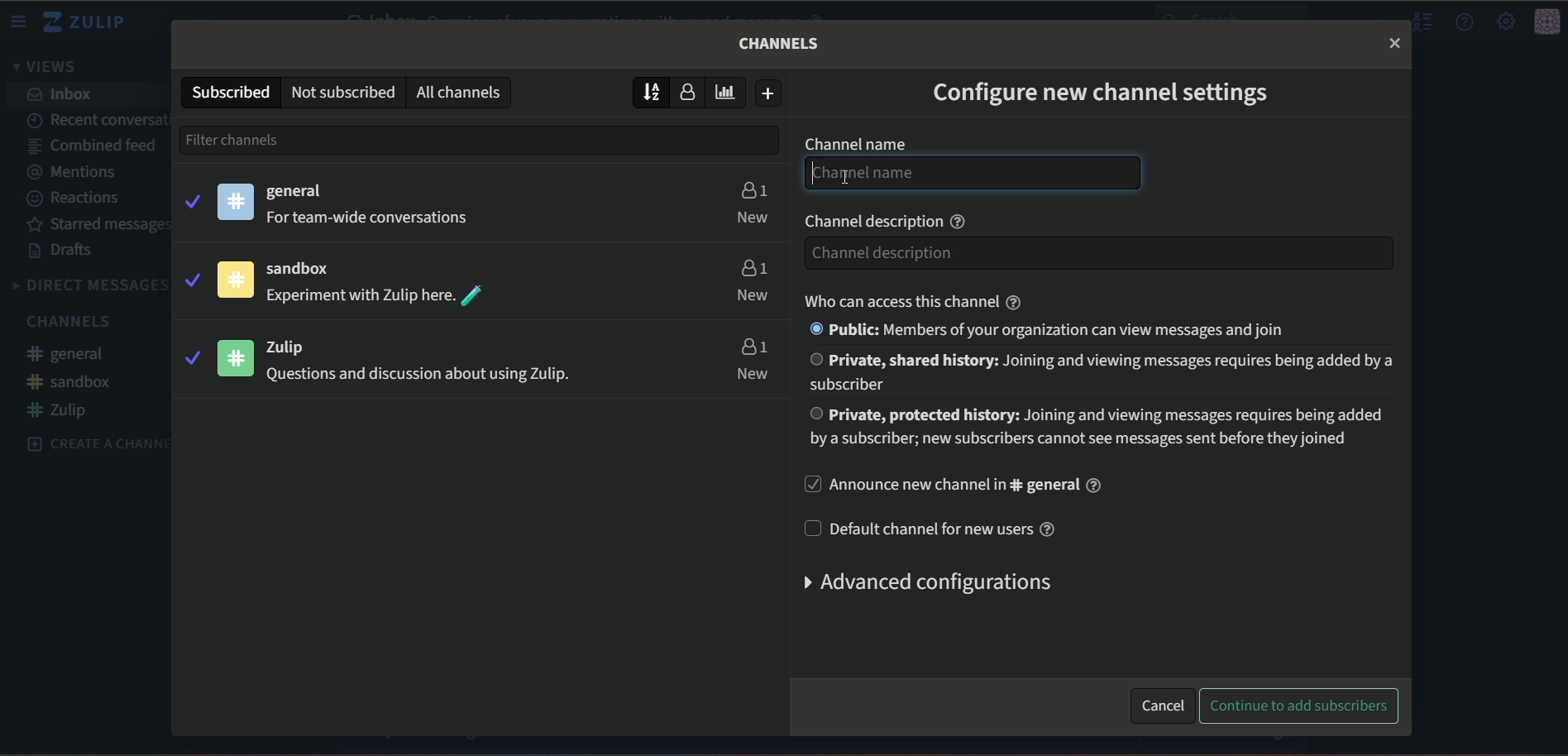 Image resolution: width=1568 pixels, height=756 pixels. Describe the element at coordinates (89, 443) in the screenshot. I see `create a channel` at that location.